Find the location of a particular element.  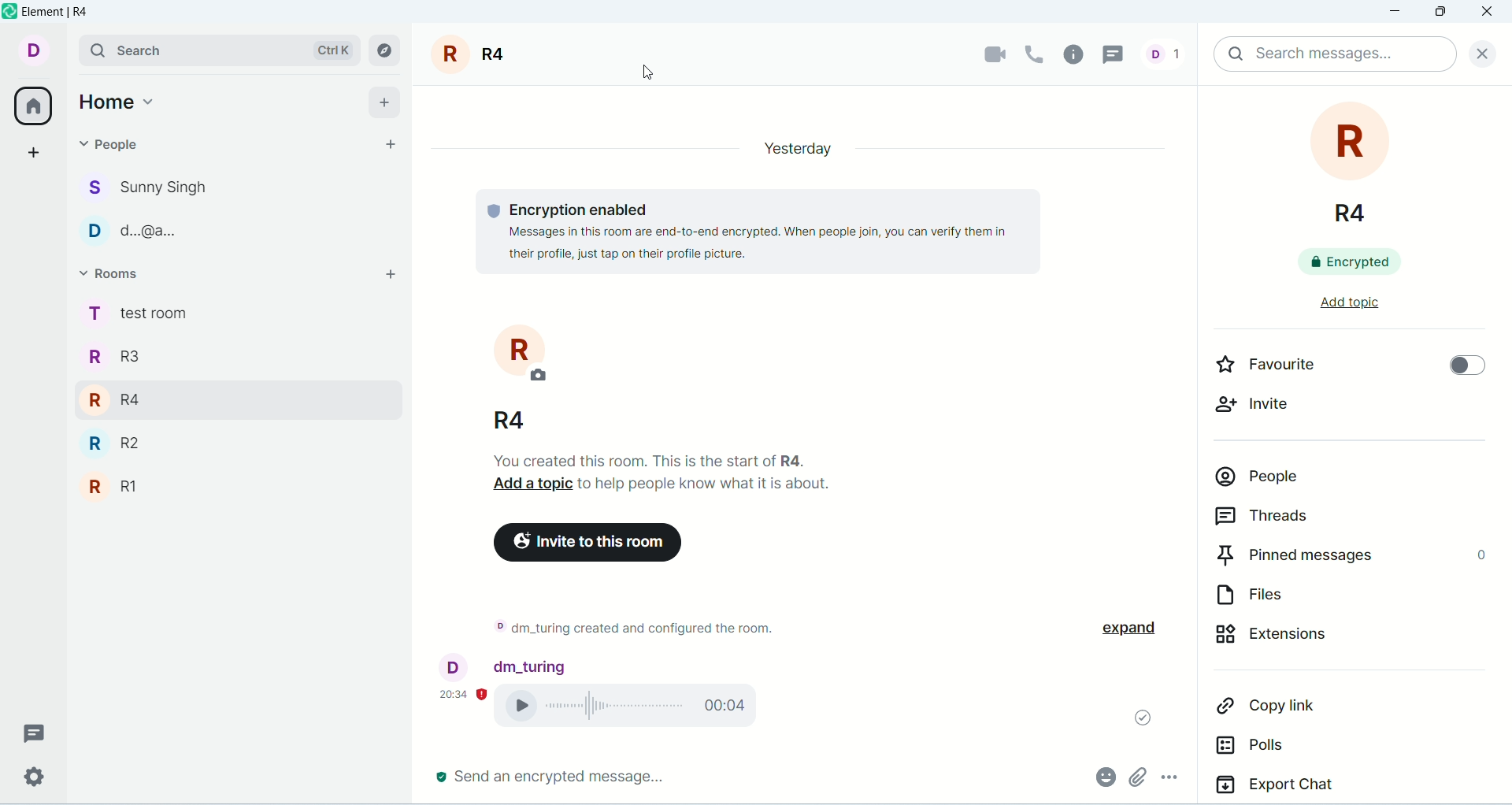

vertical scroll bar is located at coordinates (1503, 444).